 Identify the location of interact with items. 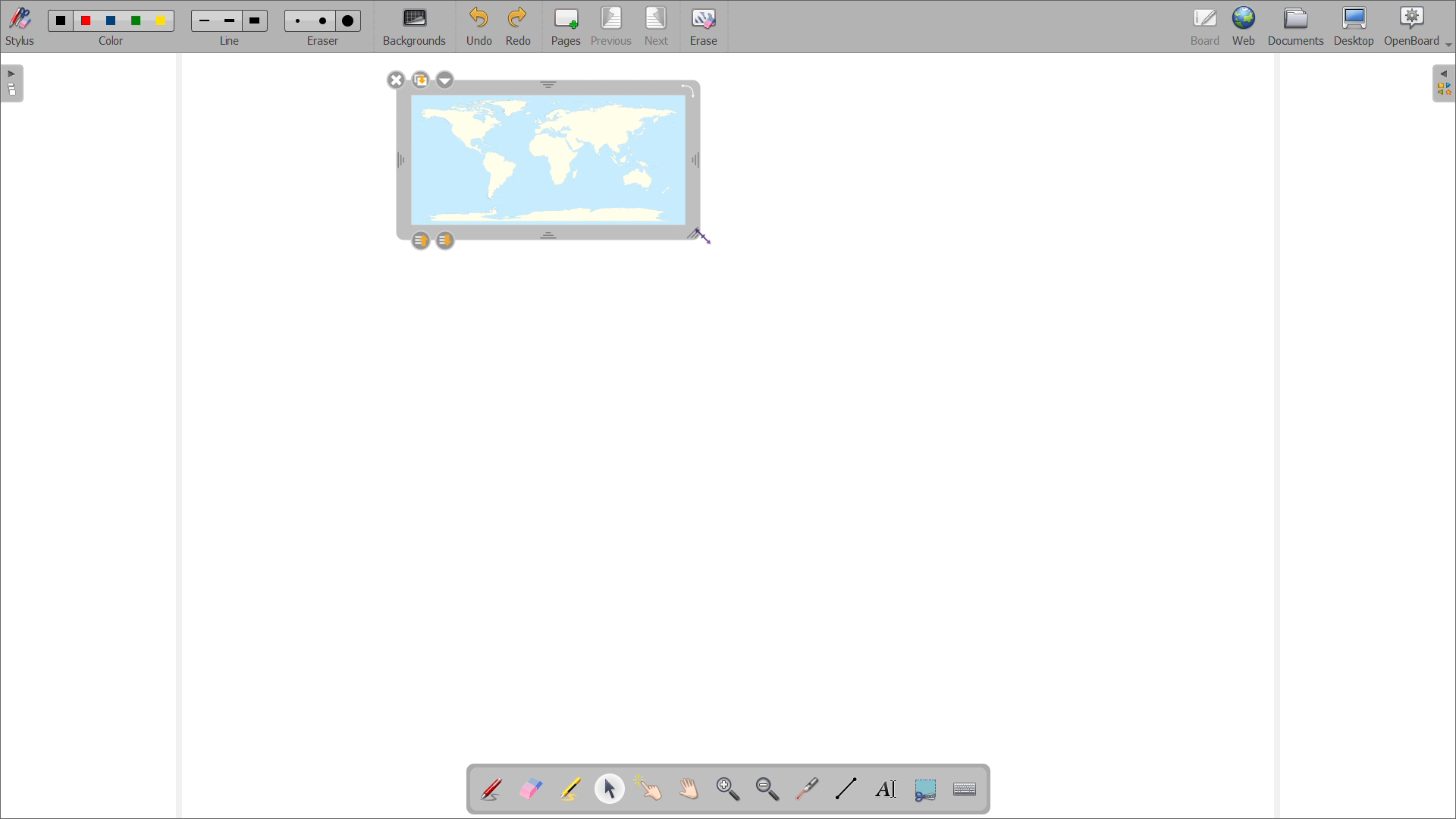
(649, 789).